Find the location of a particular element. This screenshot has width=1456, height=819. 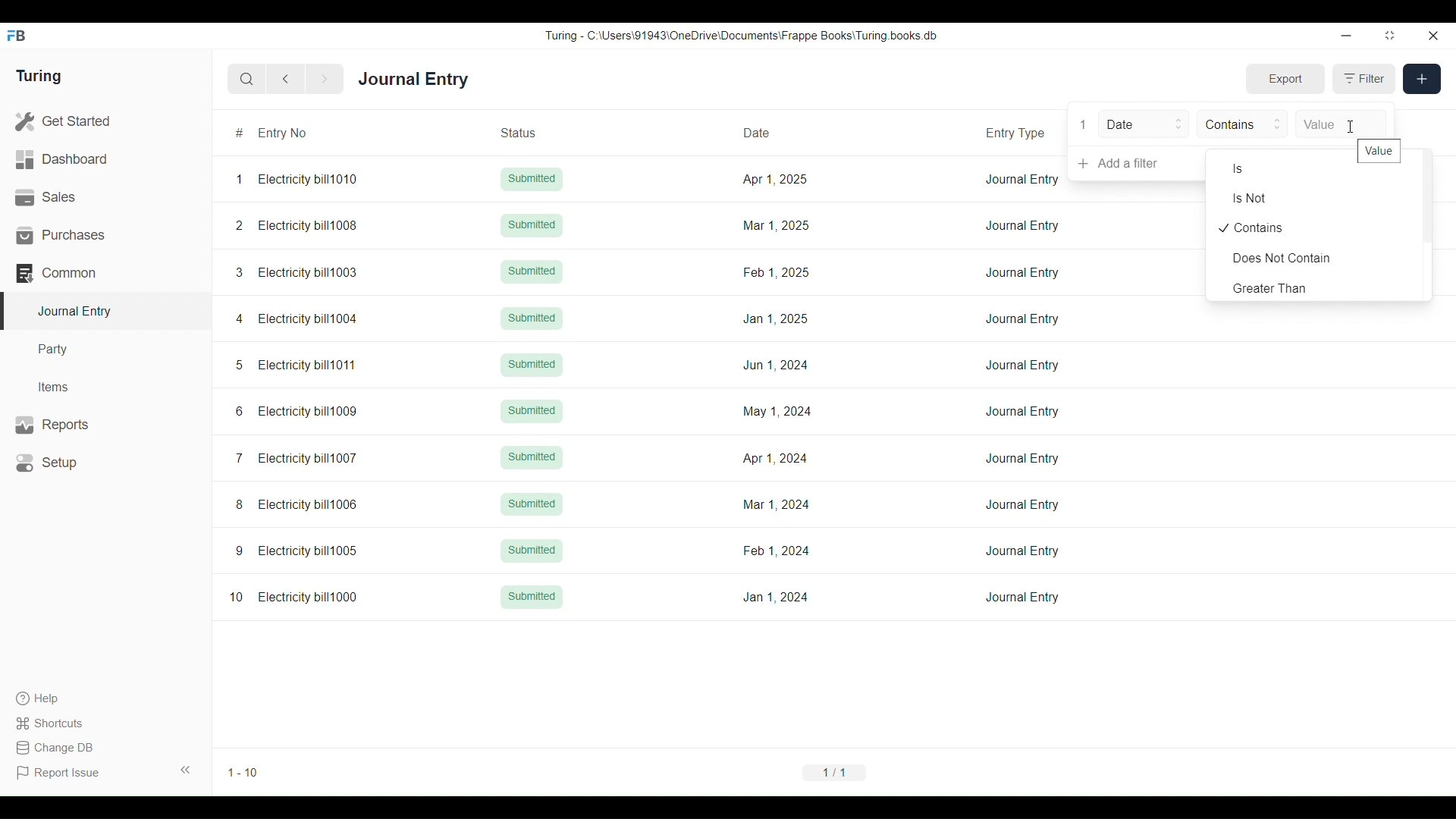

Export is located at coordinates (1286, 79).